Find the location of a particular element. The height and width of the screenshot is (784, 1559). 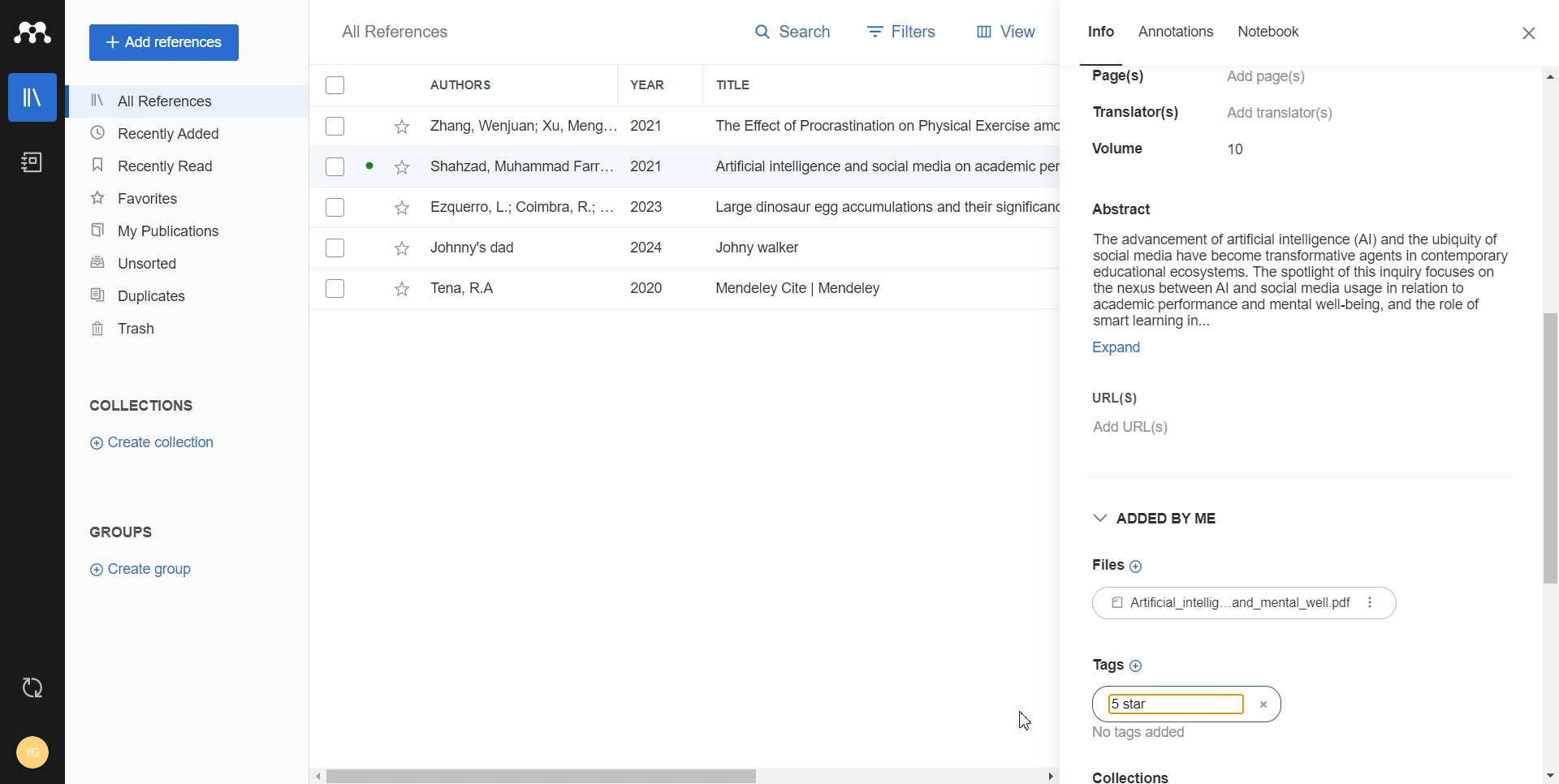

Recently Read is located at coordinates (183, 166).